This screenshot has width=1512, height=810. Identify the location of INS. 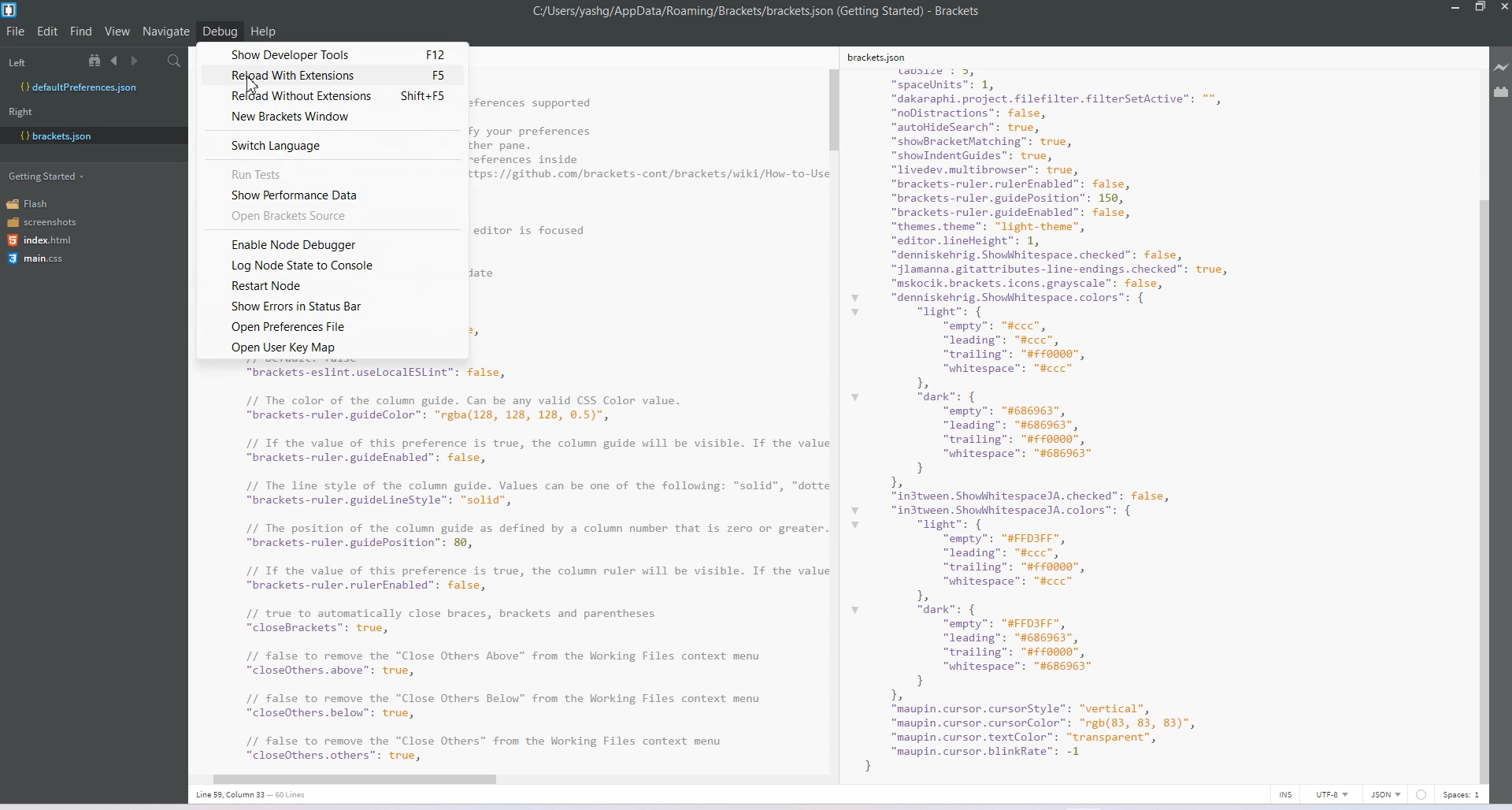
(1285, 794).